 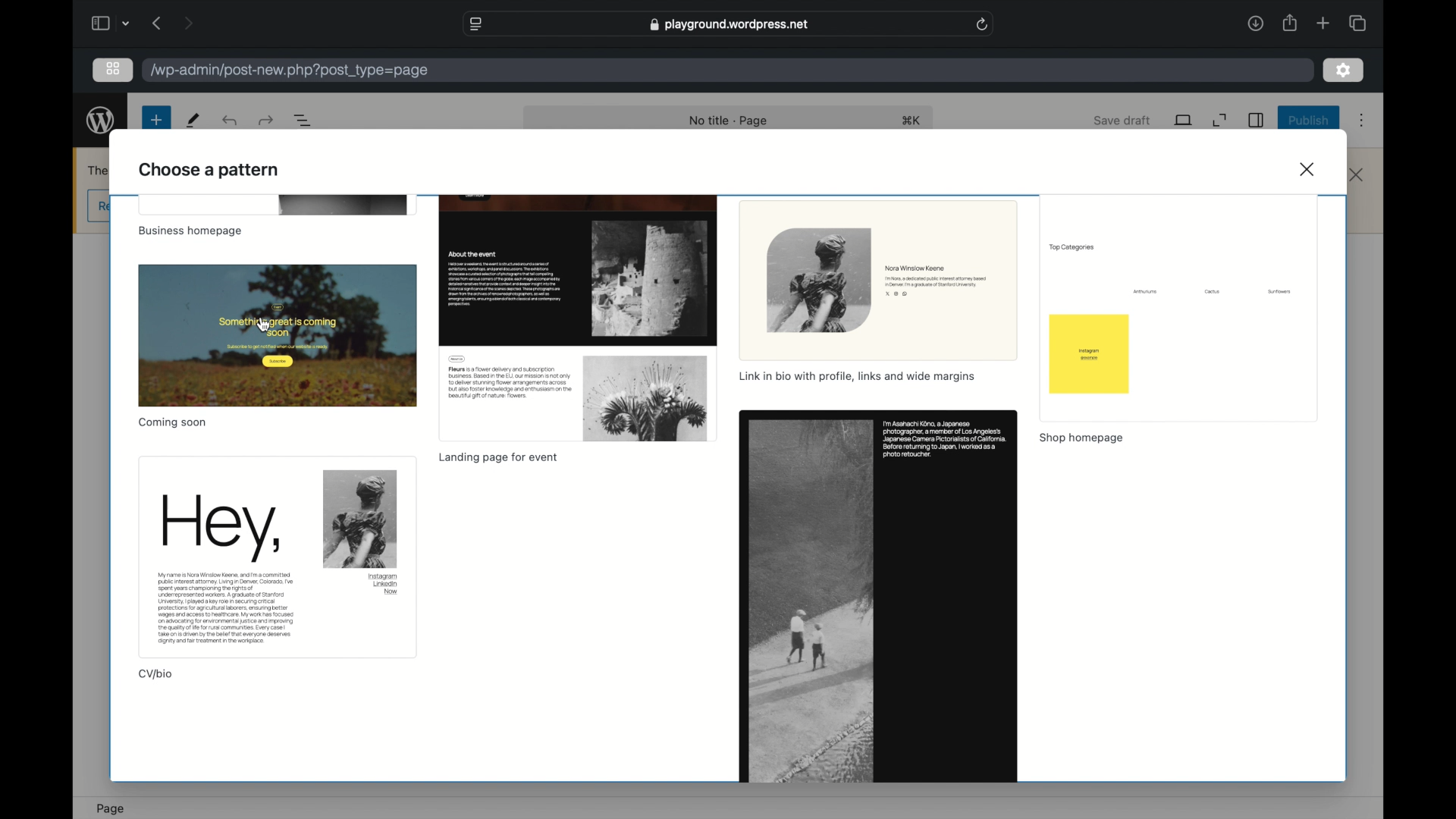 What do you see at coordinates (1307, 121) in the screenshot?
I see `publish` at bounding box center [1307, 121].